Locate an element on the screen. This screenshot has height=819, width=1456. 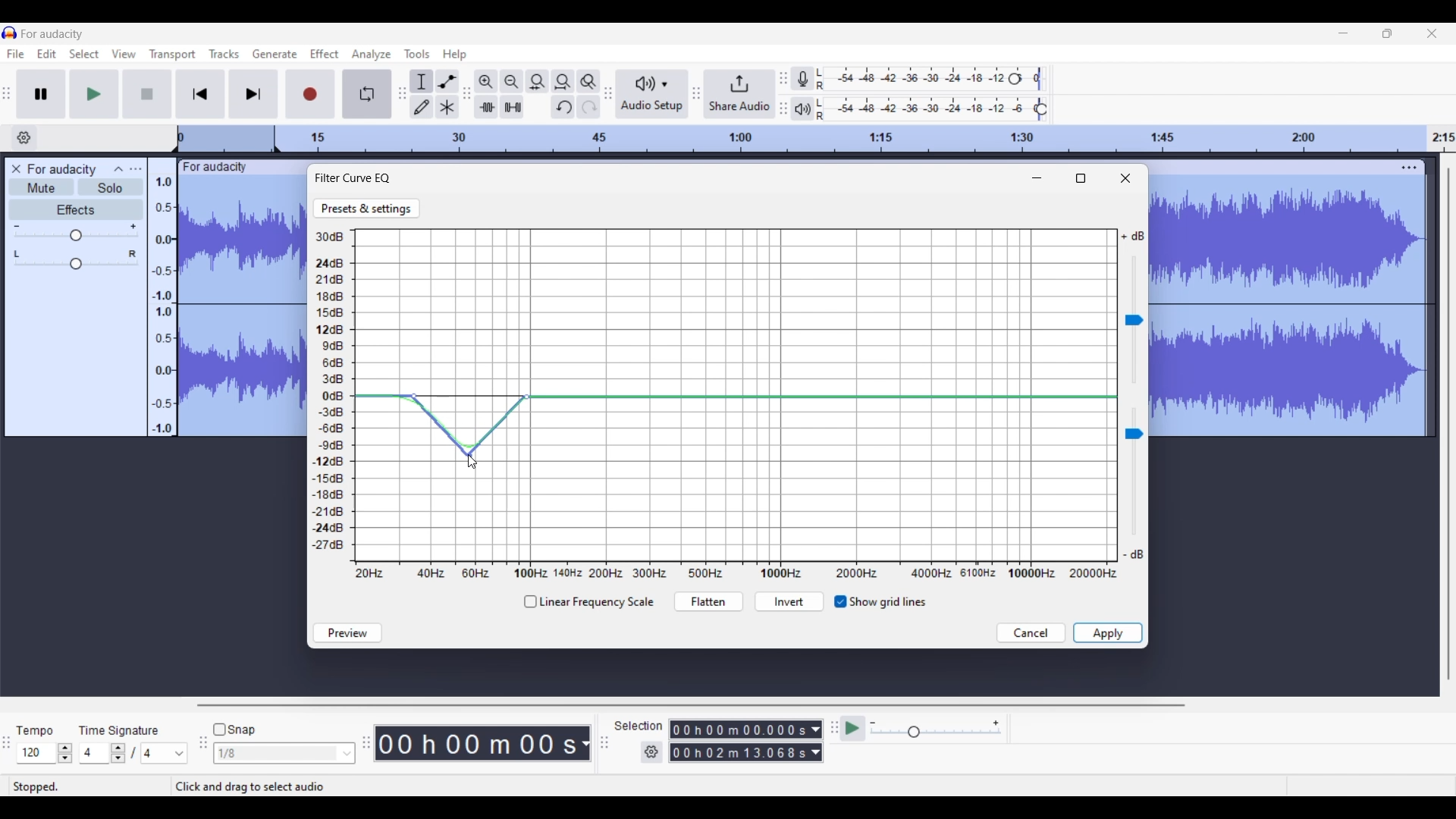
Record/Record new track is located at coordinates (315, 95).